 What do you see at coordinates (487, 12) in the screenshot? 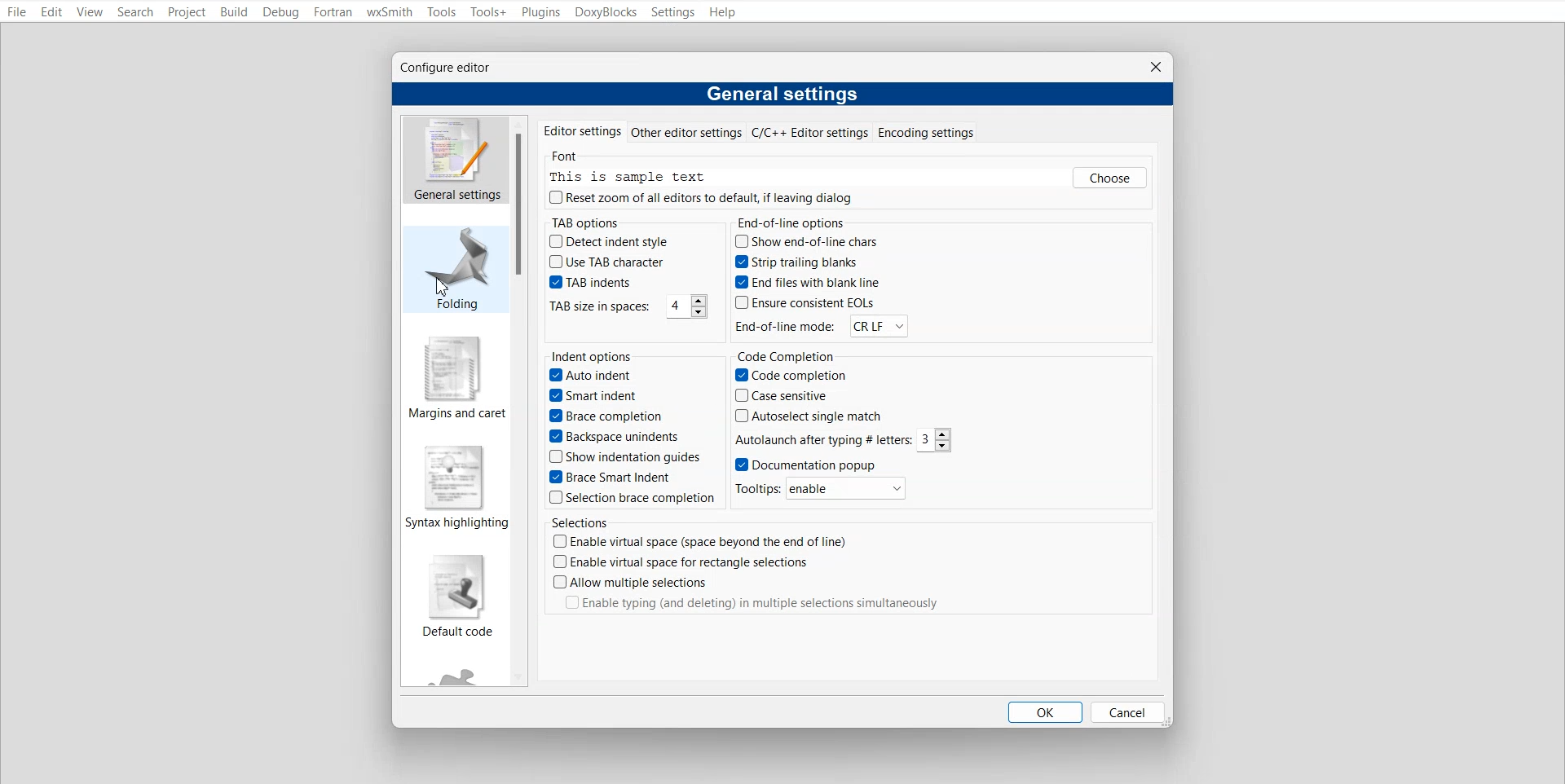
I see `Tools+` at bounding box center [487, 12].